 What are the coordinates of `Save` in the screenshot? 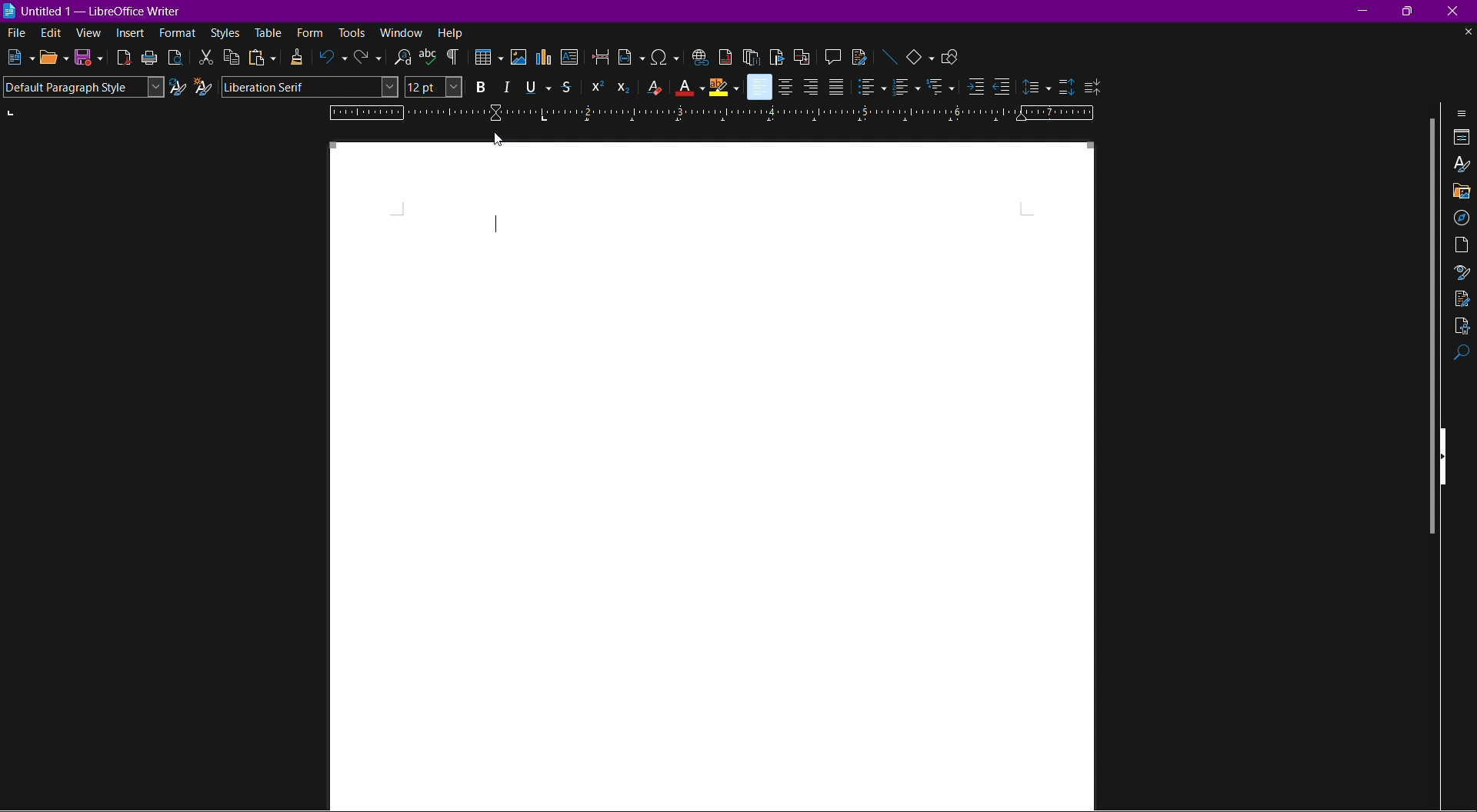 It's located at (89, 58).